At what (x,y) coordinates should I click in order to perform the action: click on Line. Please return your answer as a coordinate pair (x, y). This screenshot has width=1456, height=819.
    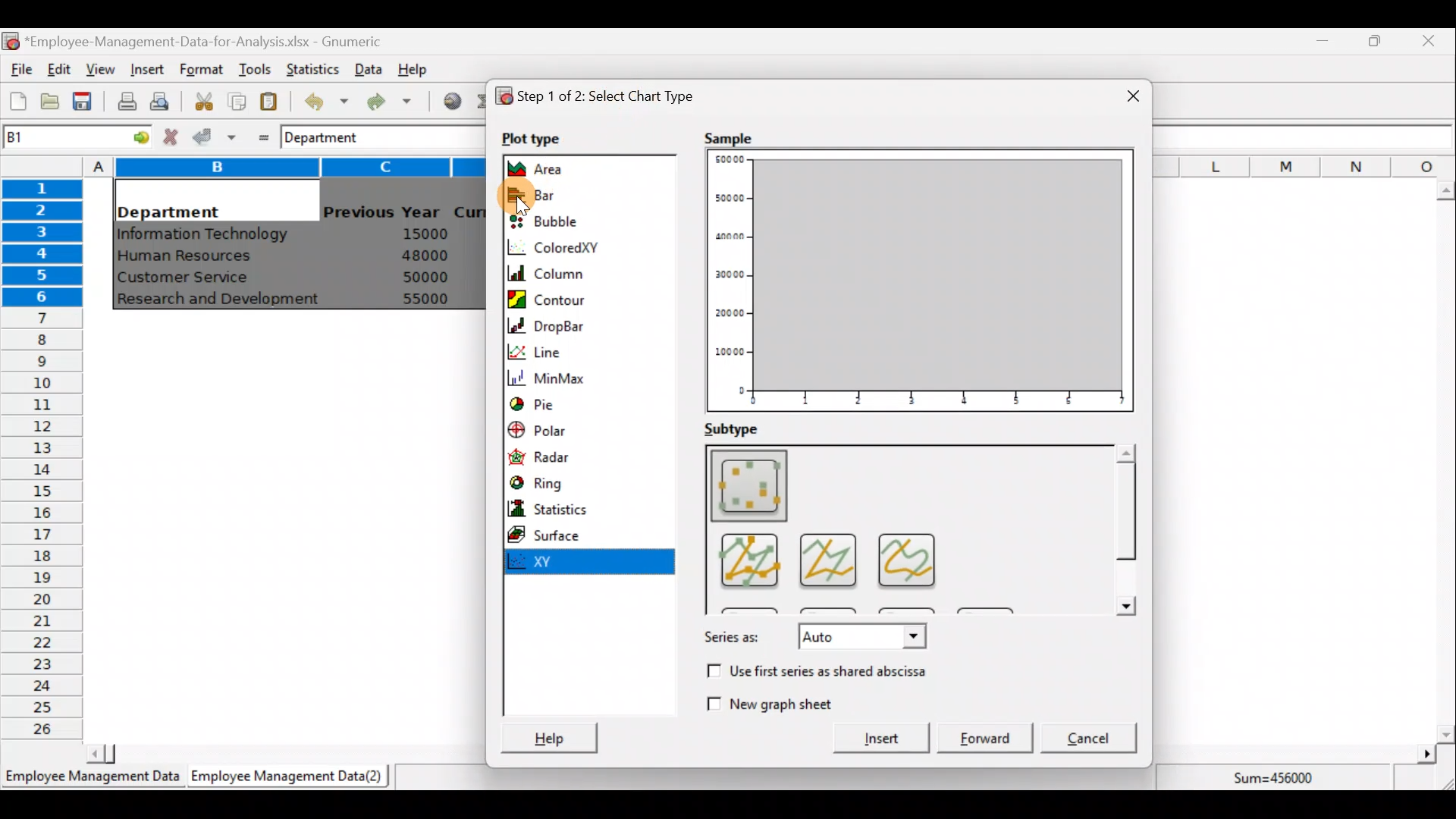
    Looking at the image, I should click on (582, 350).